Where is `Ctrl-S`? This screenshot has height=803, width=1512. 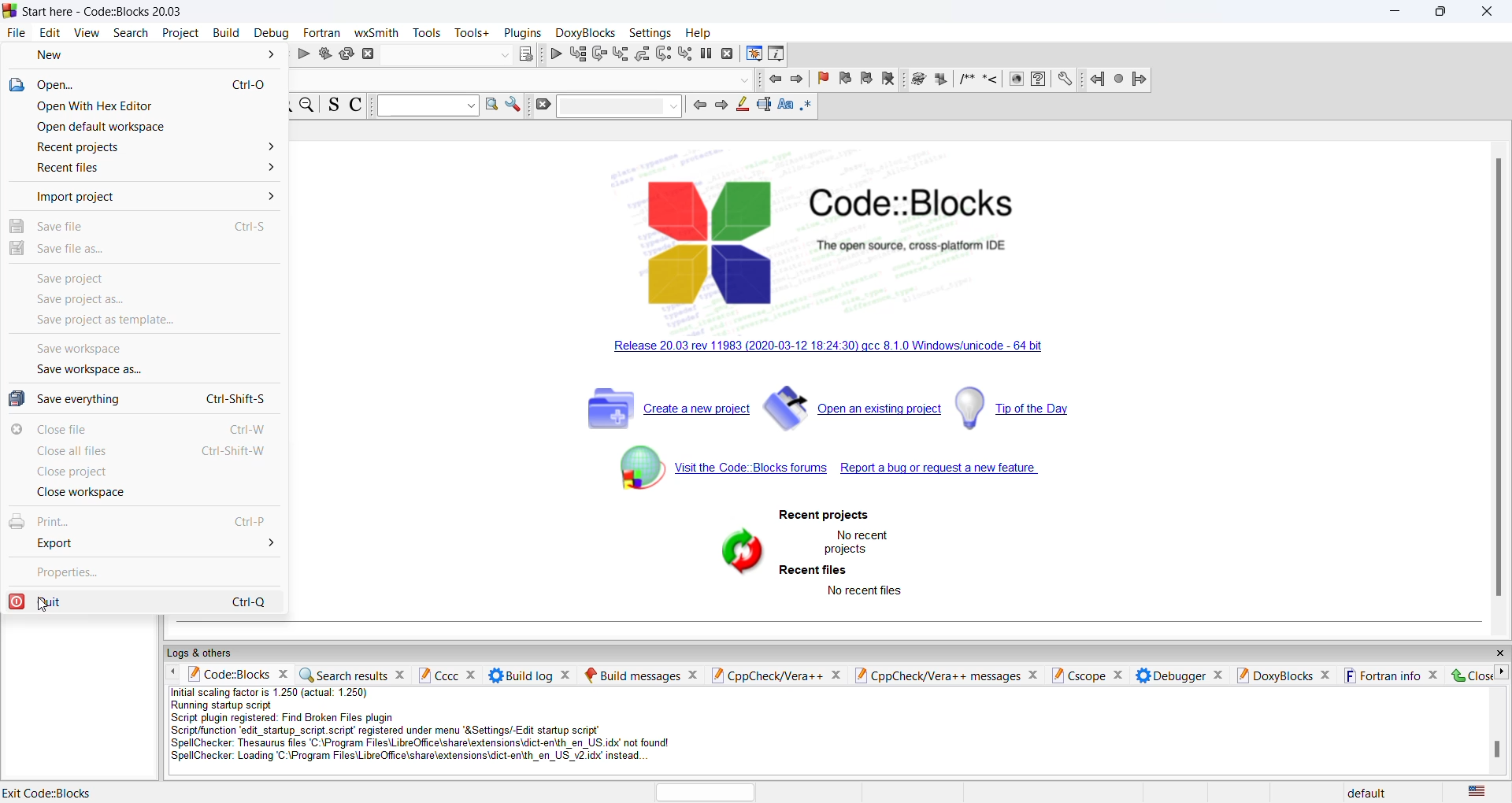
Ctrl-S is located at coordinates (250, 227).